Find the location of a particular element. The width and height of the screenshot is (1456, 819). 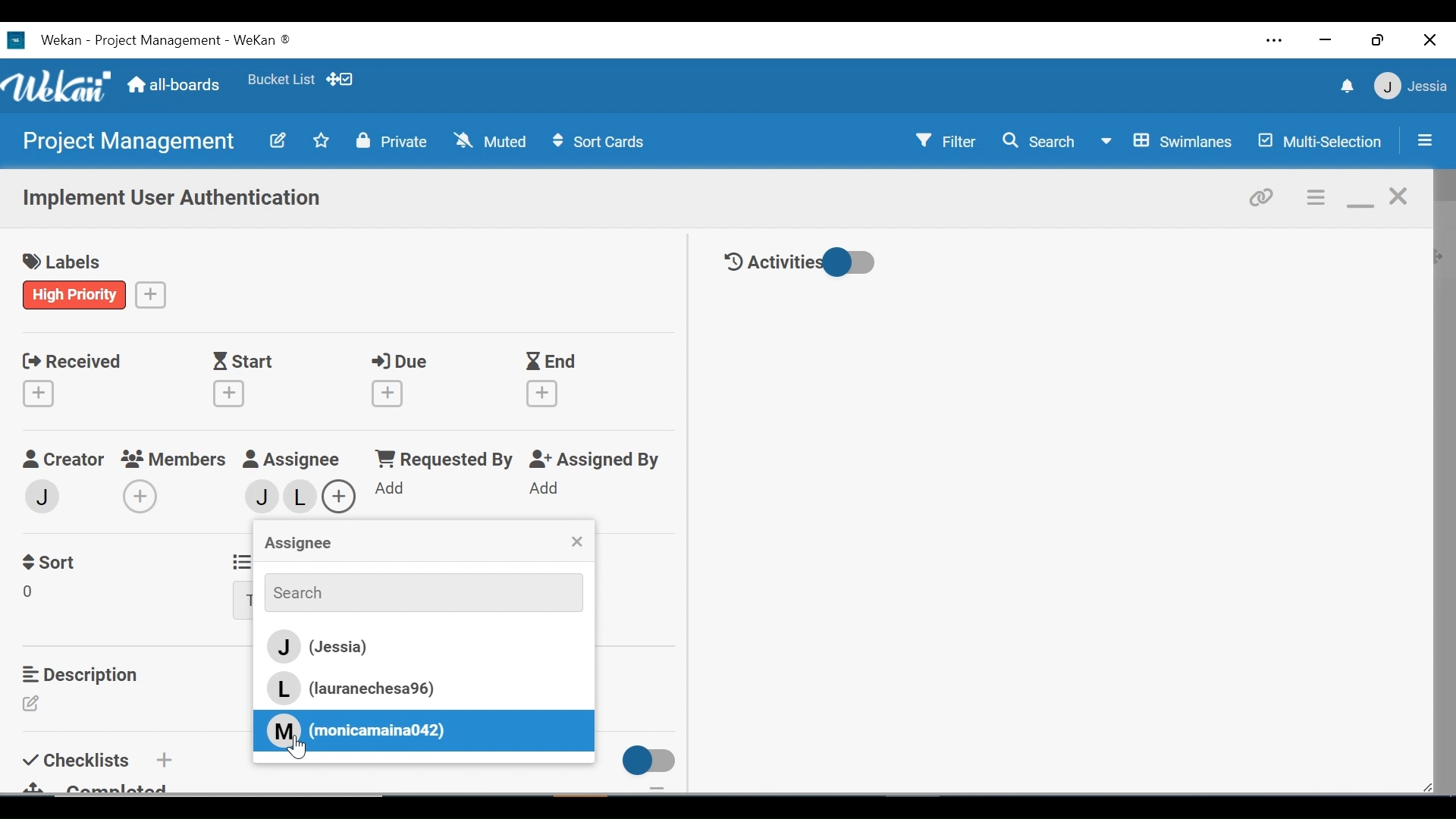

Sort Cards is located at coordinates (597, 142).